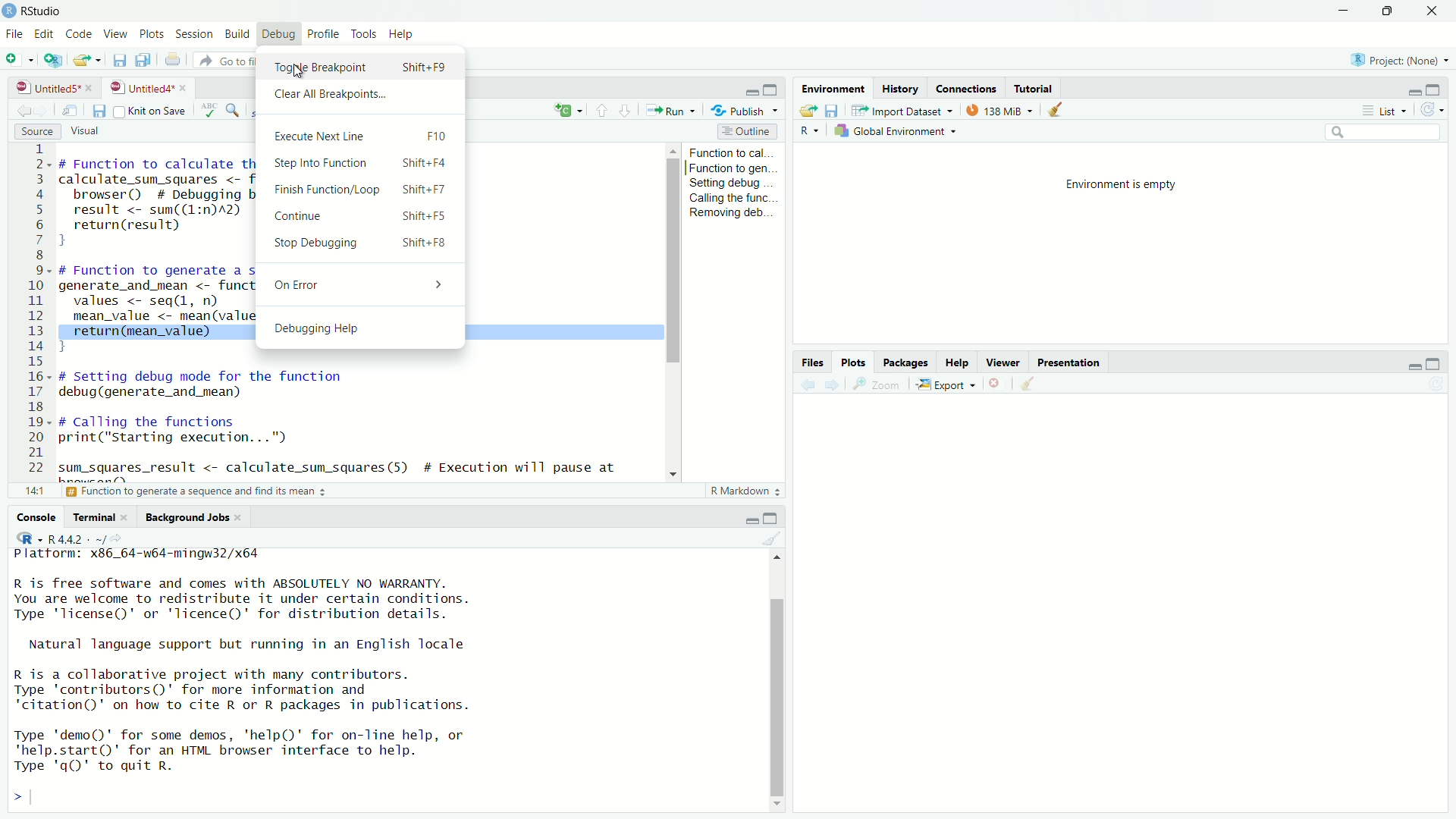  Describe the element at coordinates (237, 111) in the screenshot. I see `find/replace` at that location.